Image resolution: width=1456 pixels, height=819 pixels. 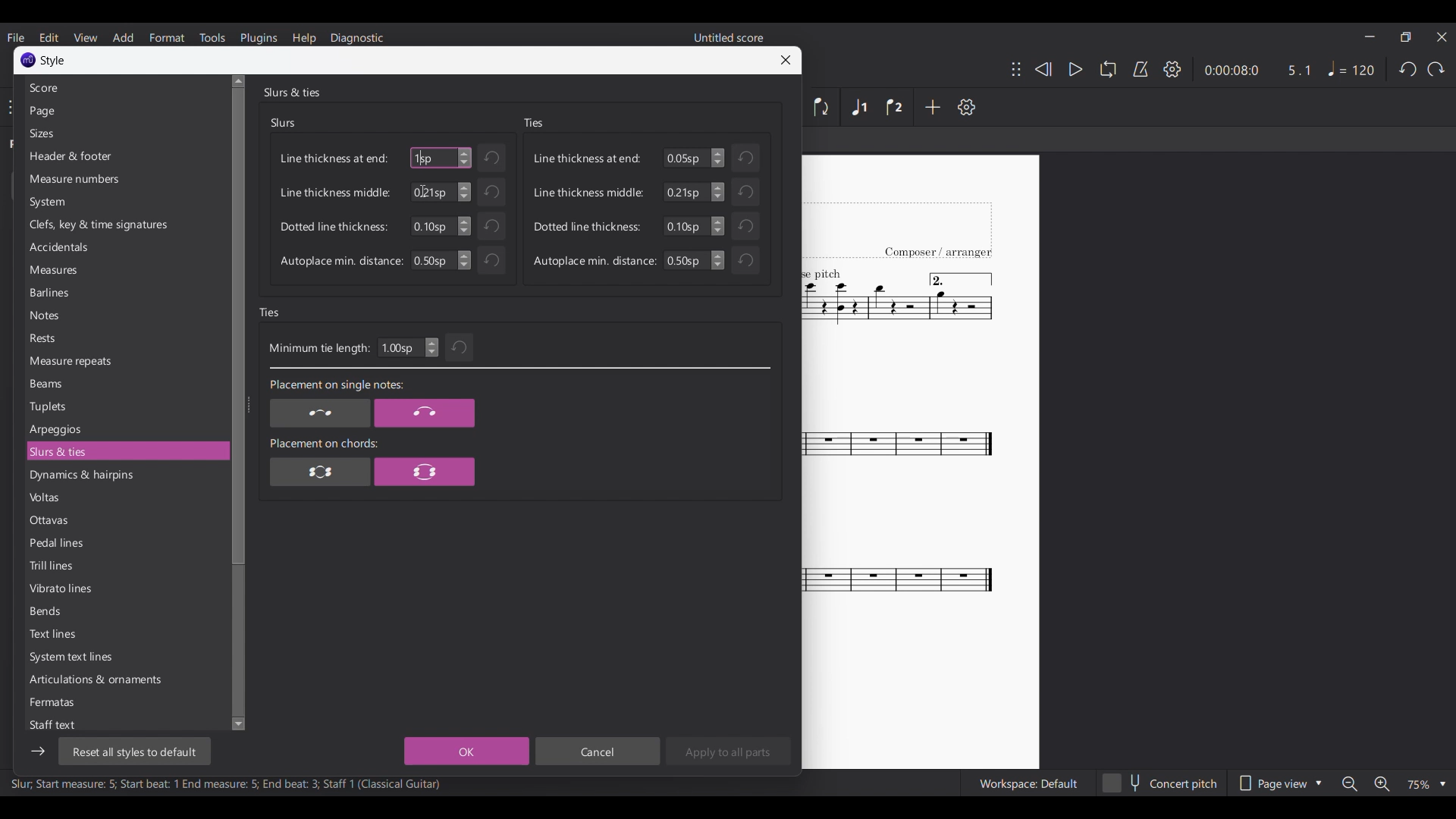 What do you see at coordinates (319, 413) in the screenshot?
I see `Placement on single notes option 1` at bounding box center [319, 413].